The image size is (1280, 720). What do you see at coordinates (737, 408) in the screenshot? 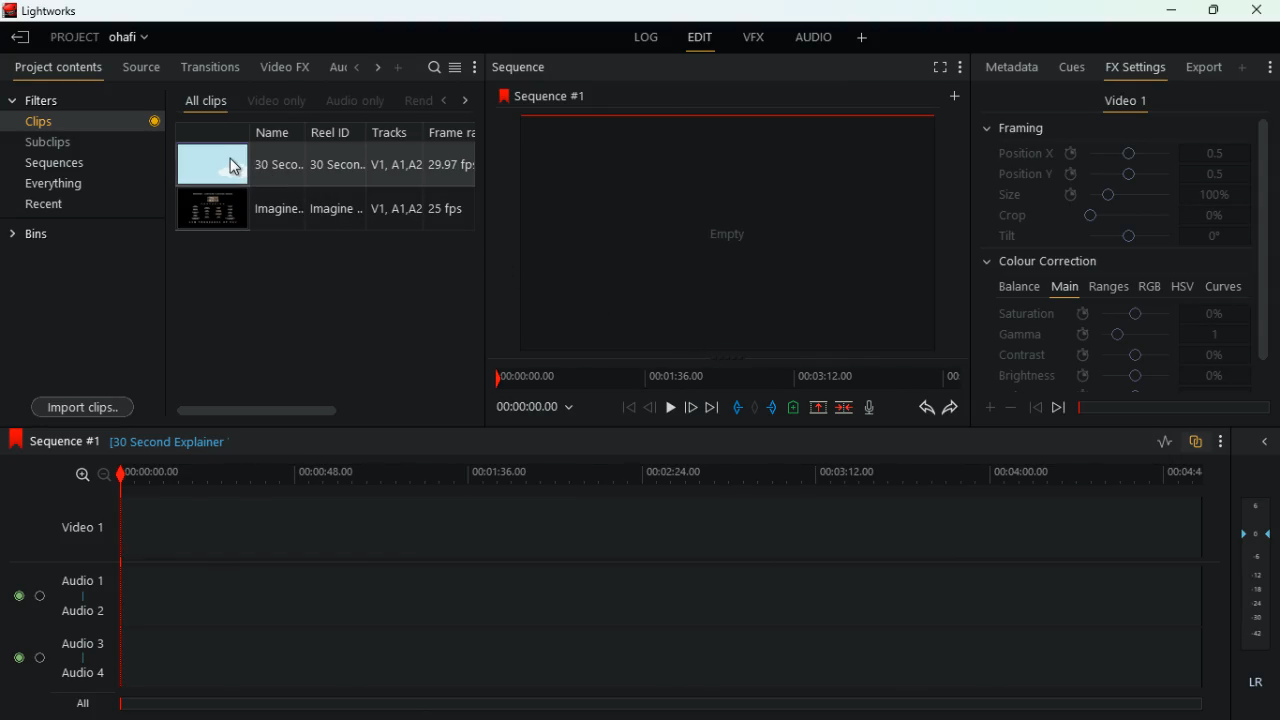
I see `pull` at bounding box center [737, 408].